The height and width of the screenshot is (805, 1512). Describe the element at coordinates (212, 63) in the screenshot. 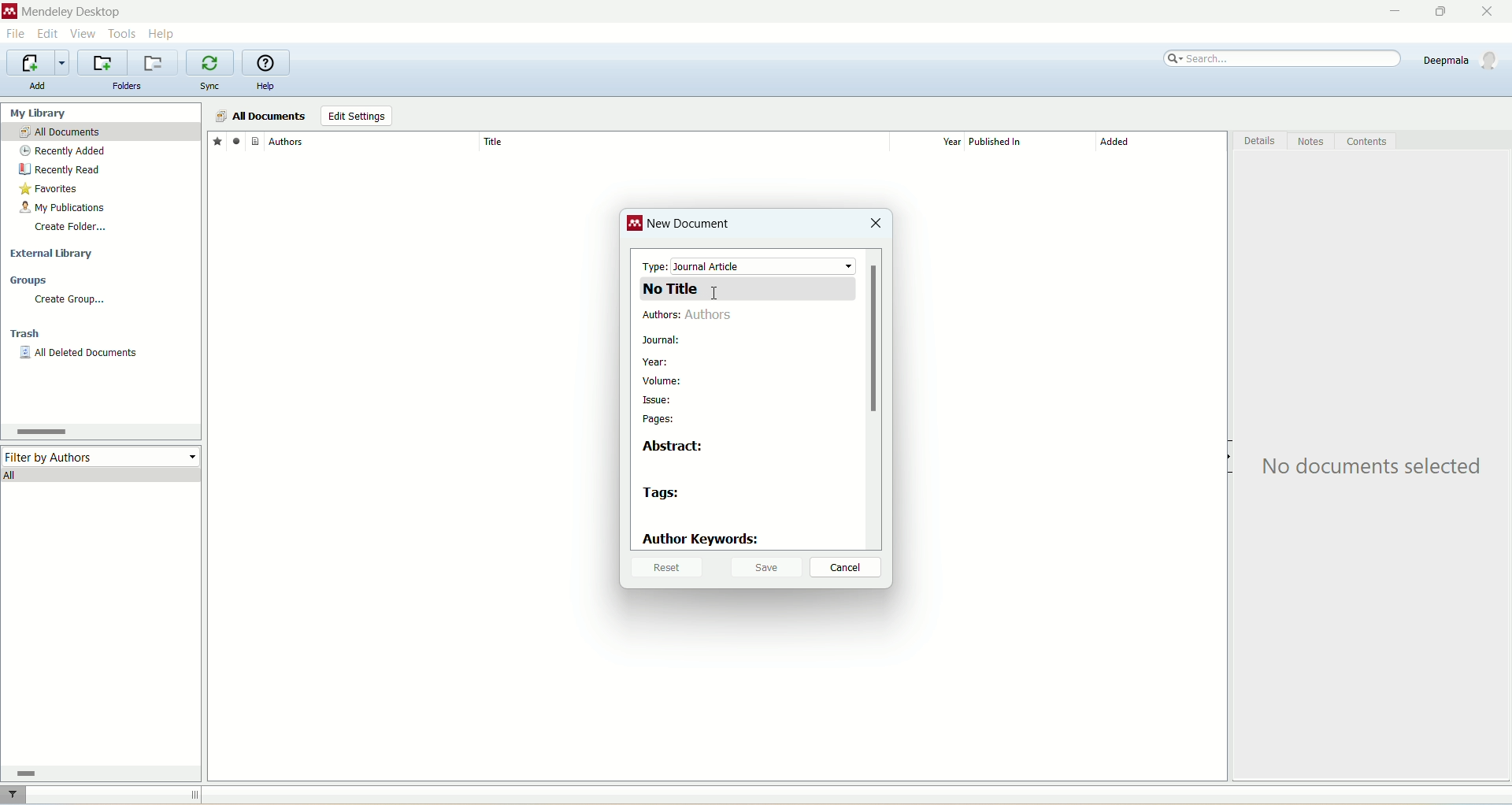

I see `synchronize library with mendeley web` at that location.